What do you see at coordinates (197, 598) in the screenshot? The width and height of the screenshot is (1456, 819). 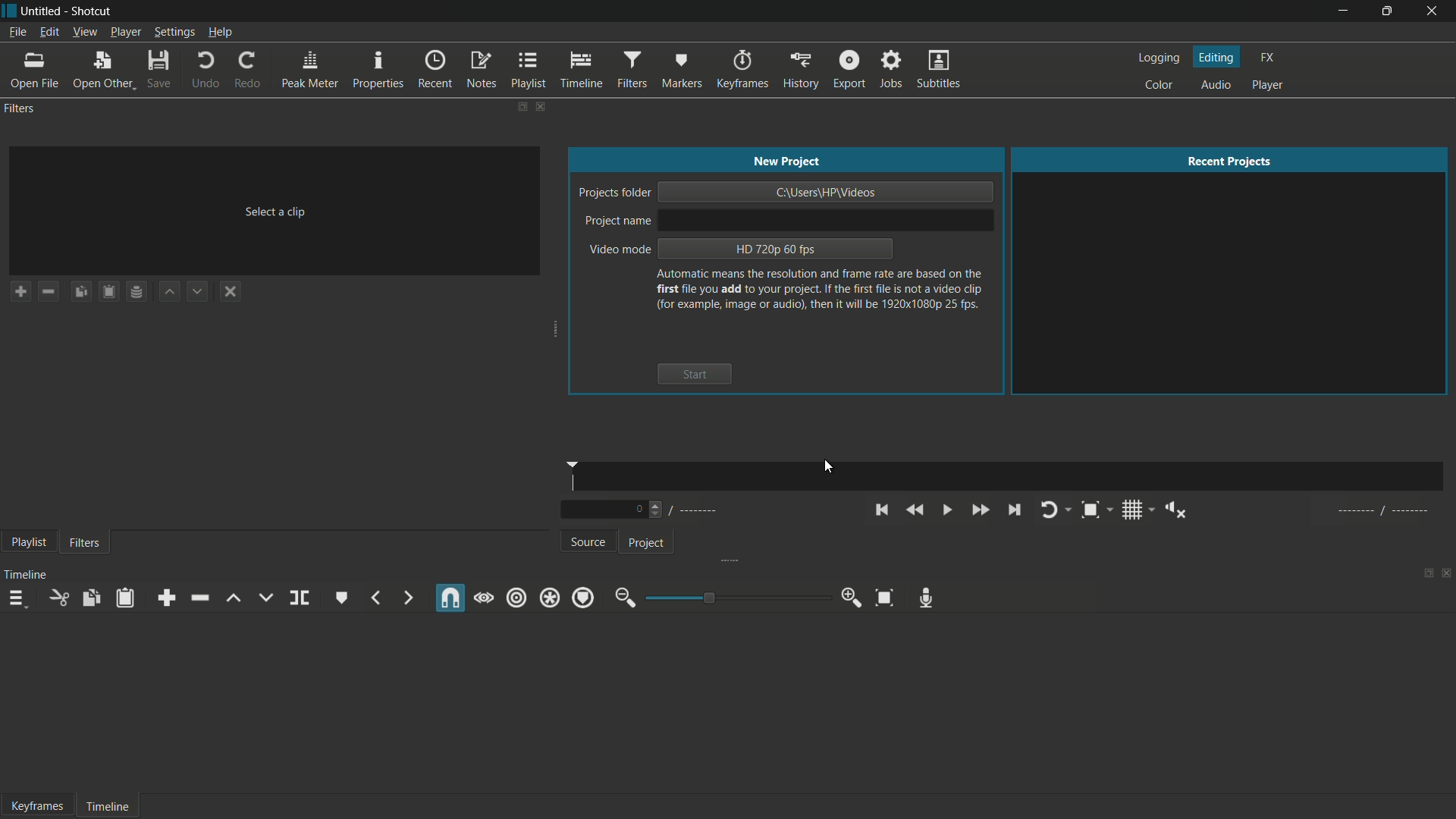 I see `ripple delete` at bounding box center [197, 598].